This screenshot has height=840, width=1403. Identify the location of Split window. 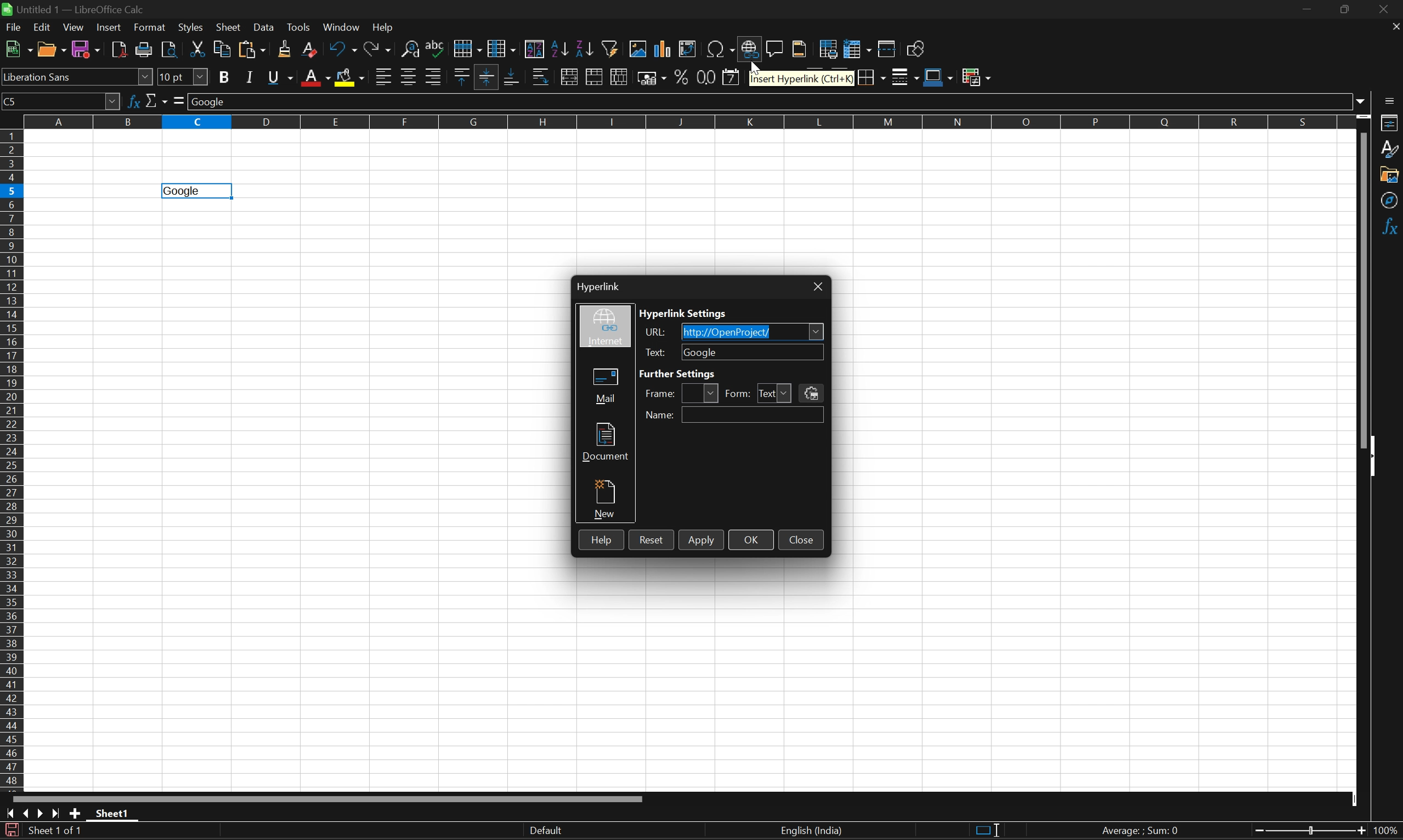
(886, 49).